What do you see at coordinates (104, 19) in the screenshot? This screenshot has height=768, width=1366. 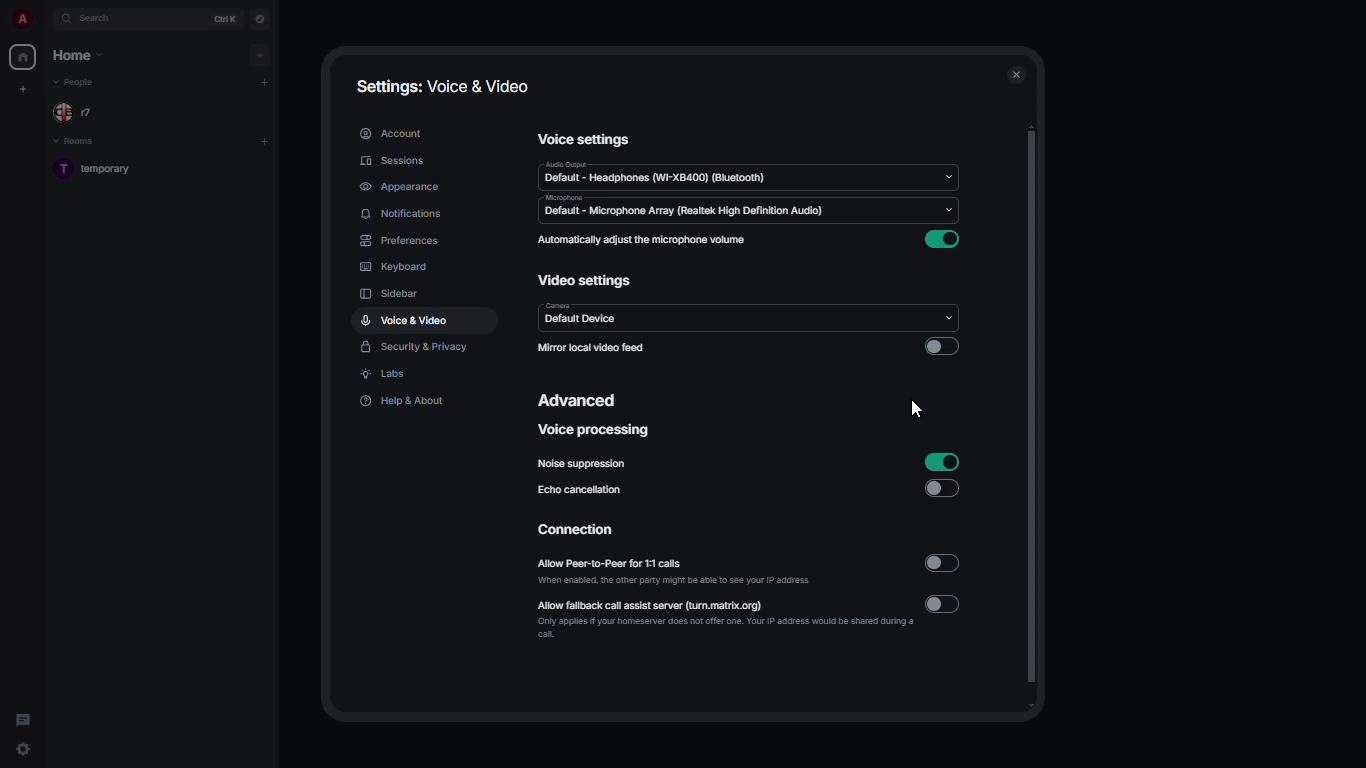 I see `search` at bounding box center [104, 19].